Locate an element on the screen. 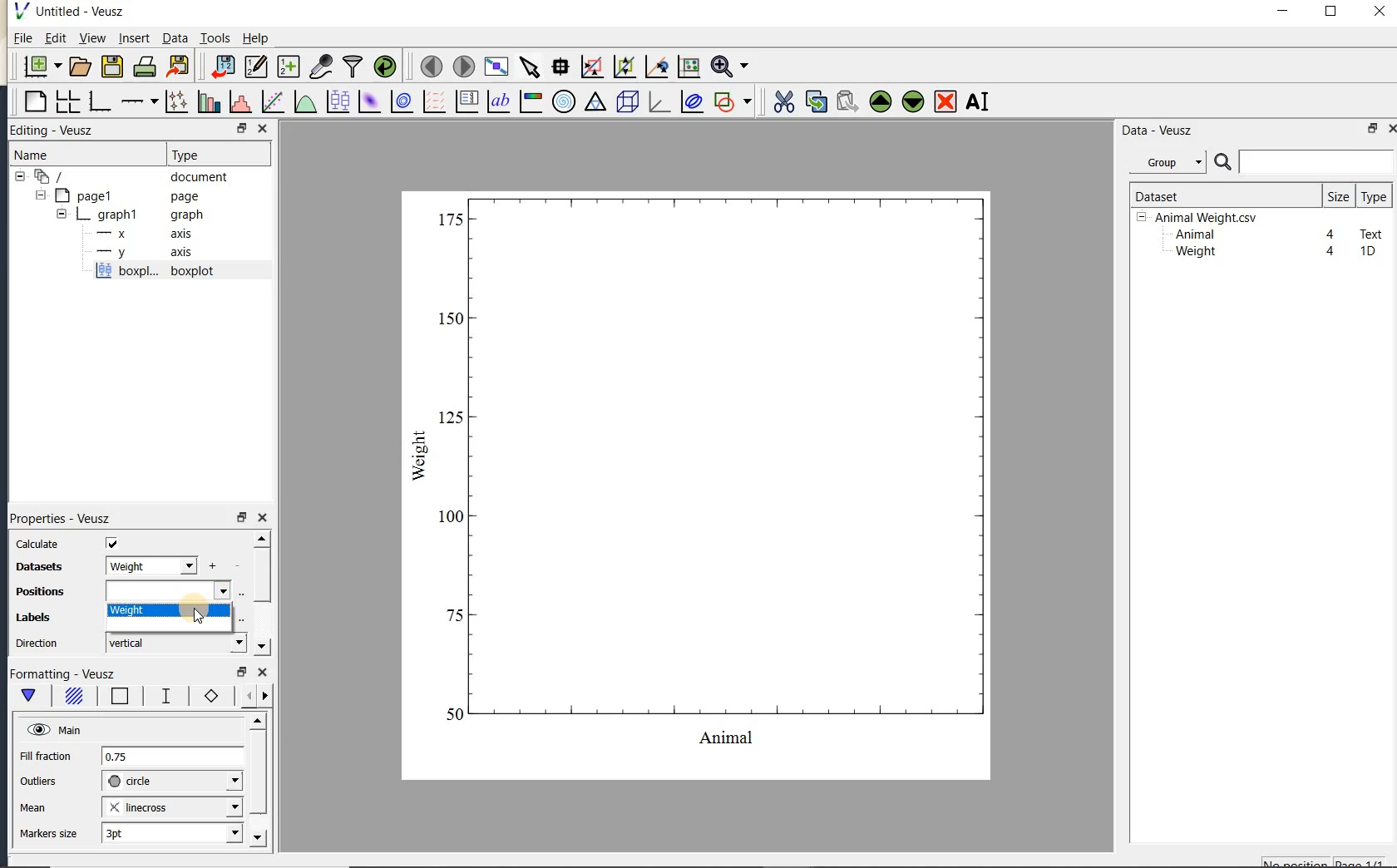 The width and height of the screenshot is (1397, 868). 4 is located at coordinates (1331, 252).